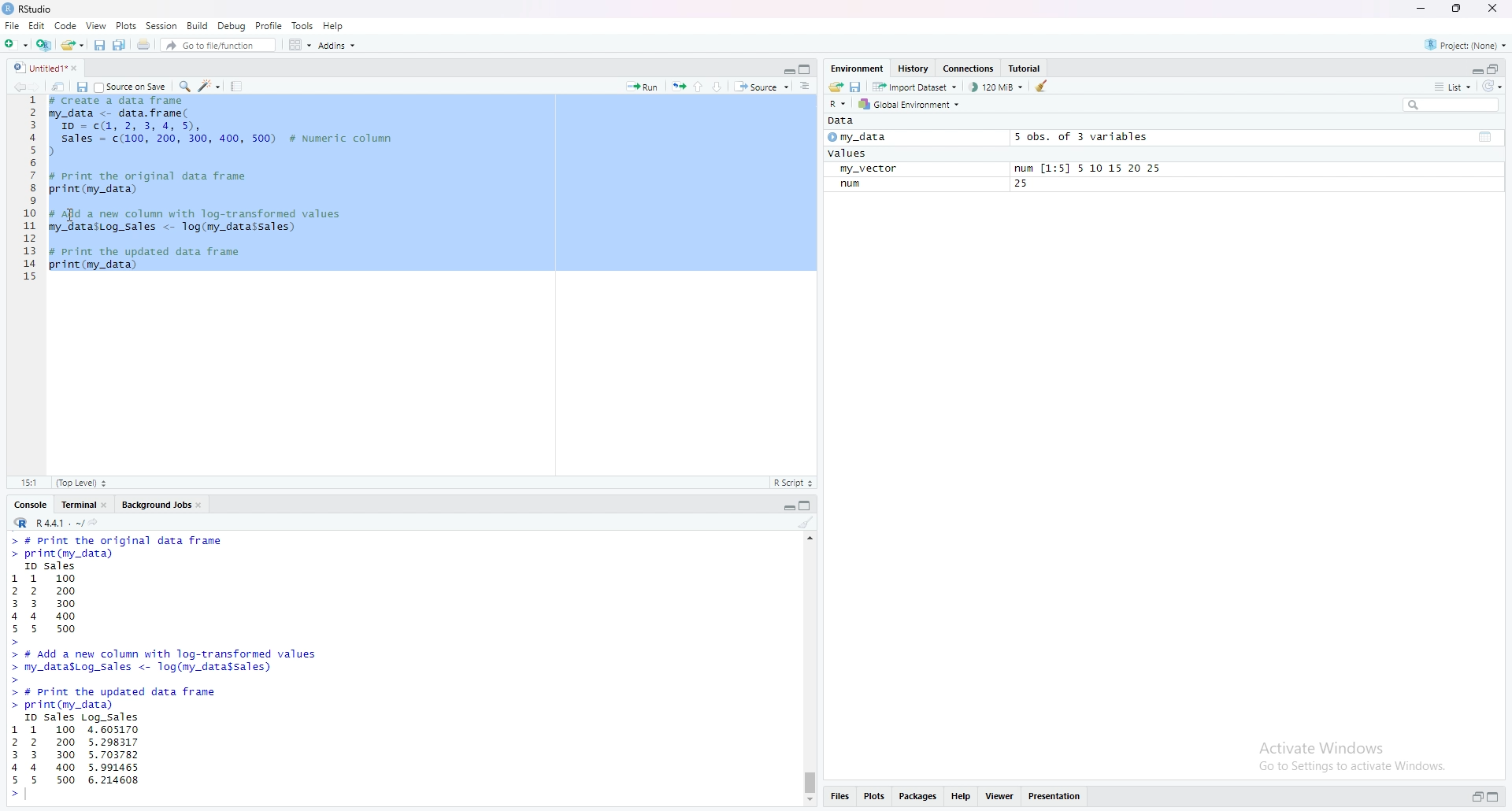 This screenshot has width=1512, height=811. Describe the element at coordinates (1464, 10) in the screenshot. I see `maximize` at that location.